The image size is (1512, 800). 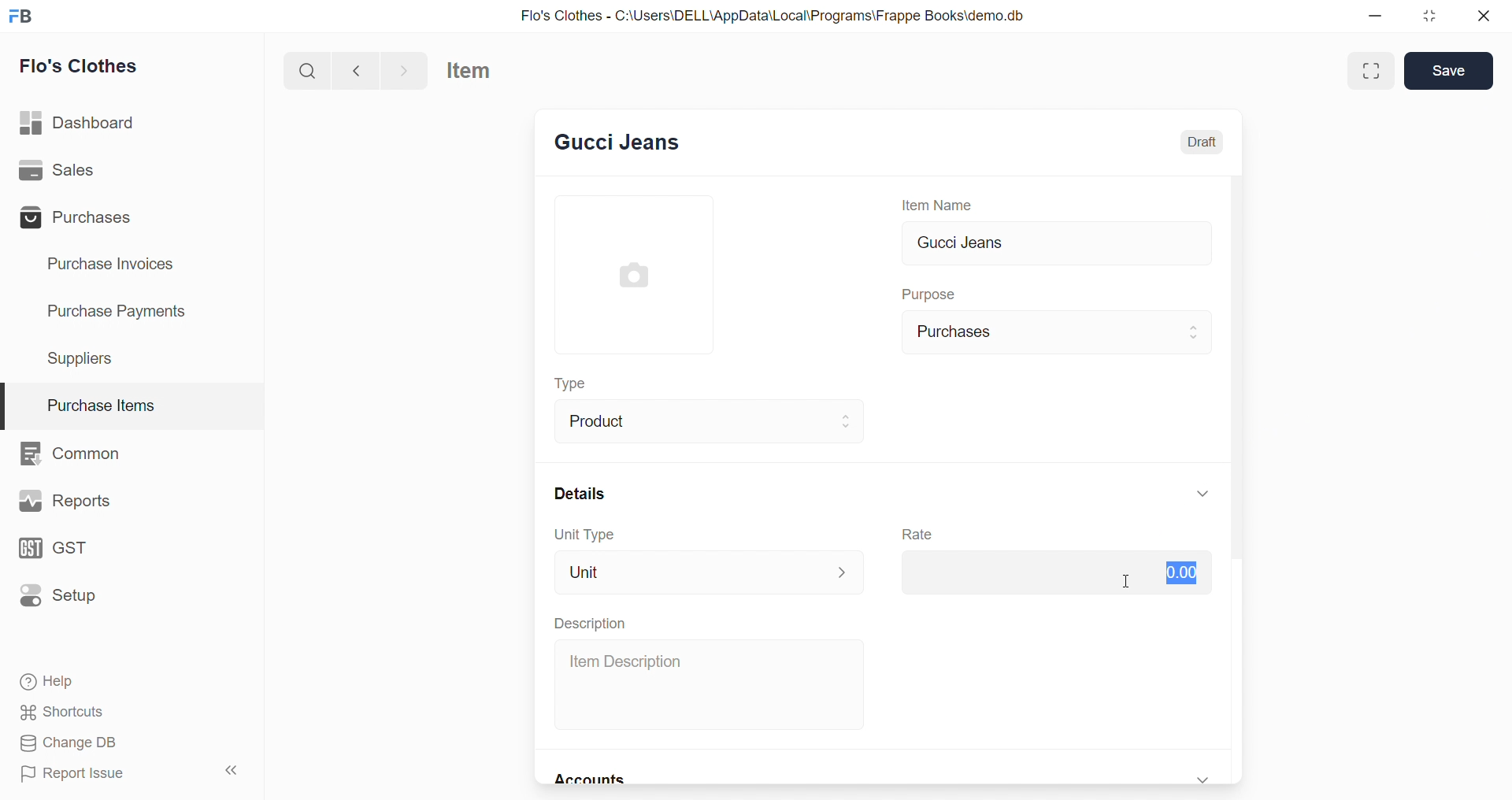 I want to click on Maximize window, so click(x=1373, y=71).